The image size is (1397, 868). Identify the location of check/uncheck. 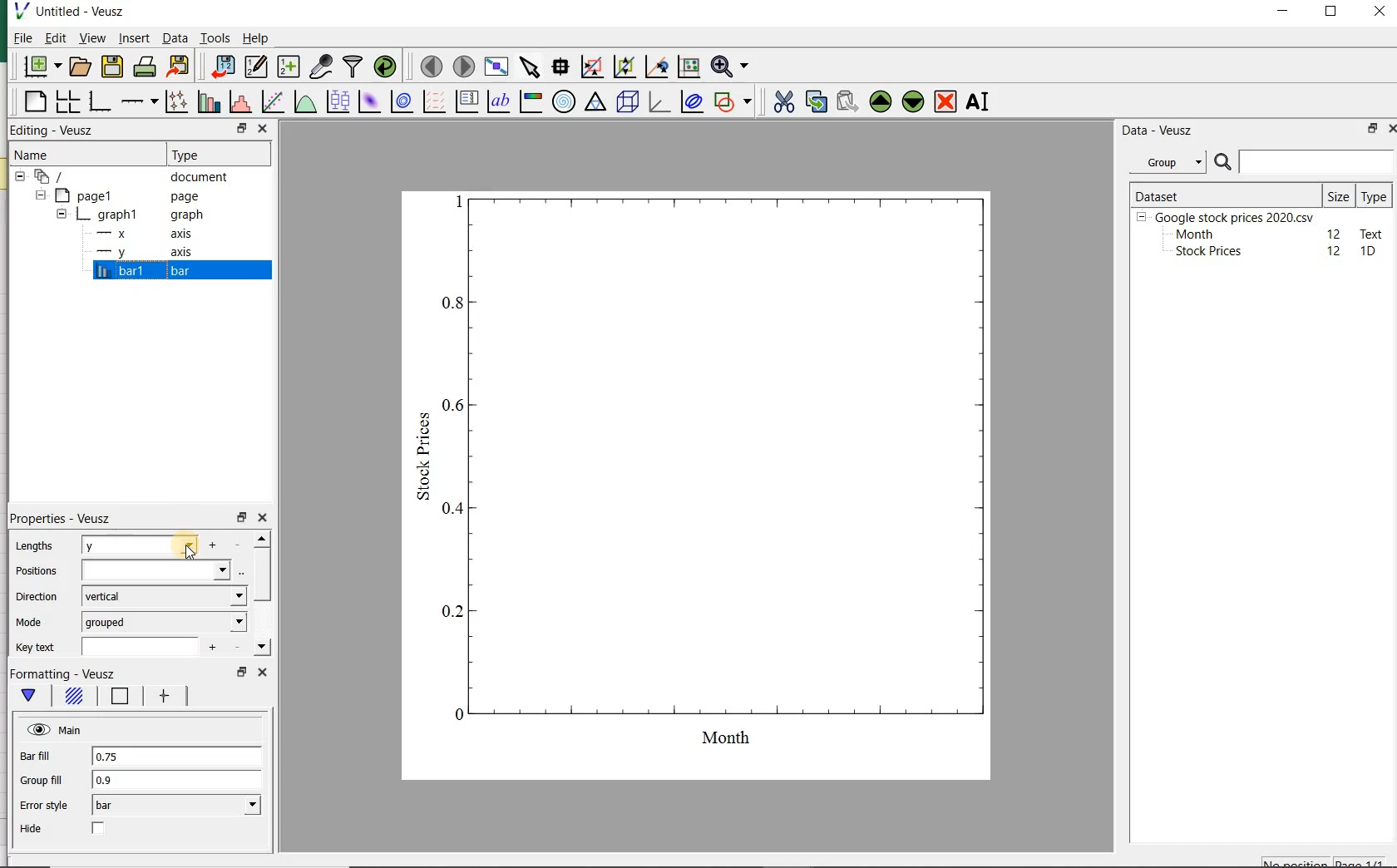
(100, 829).